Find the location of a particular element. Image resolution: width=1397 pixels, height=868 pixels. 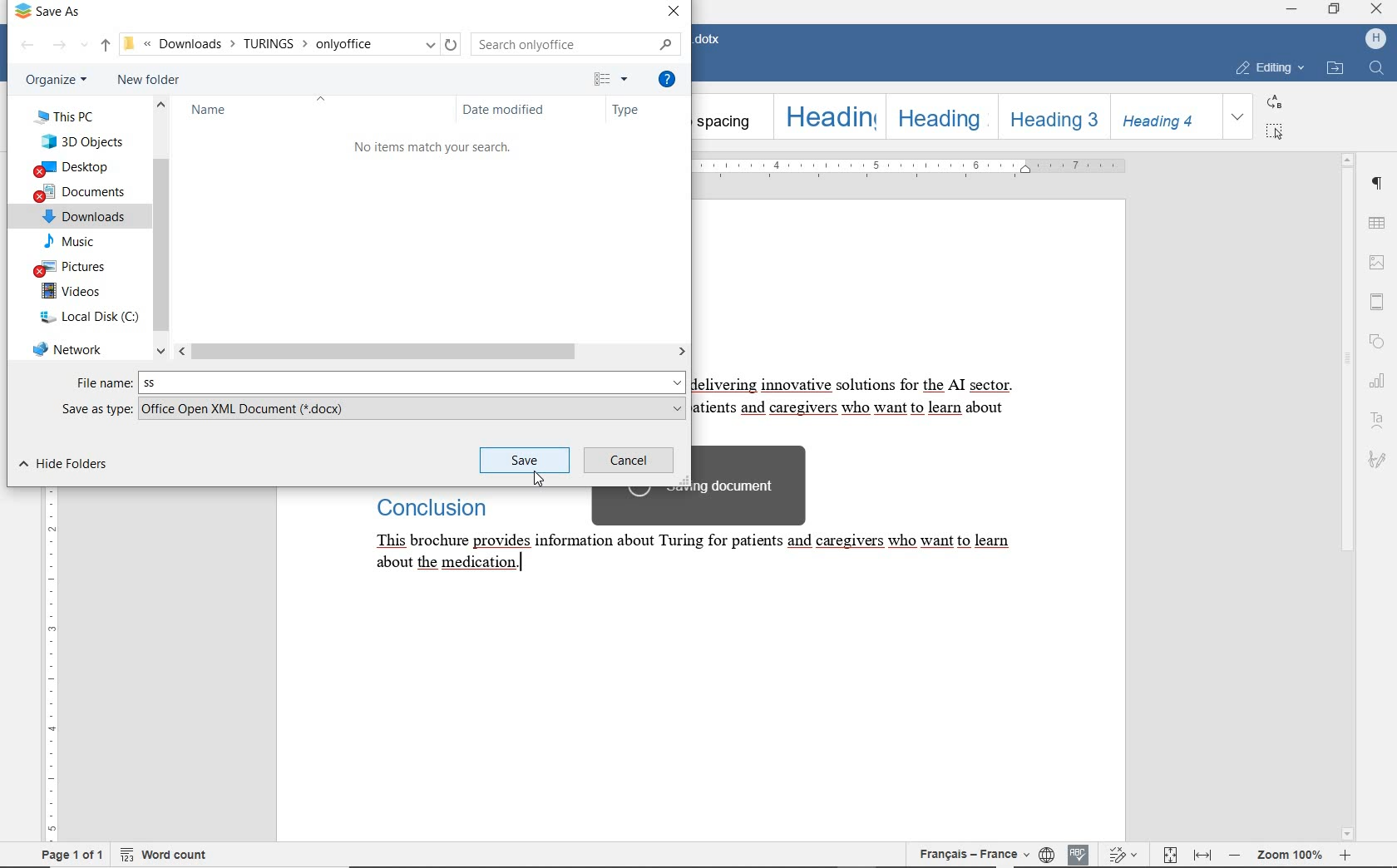

TRACK CHANGES is located at coordinates (1127, 853).